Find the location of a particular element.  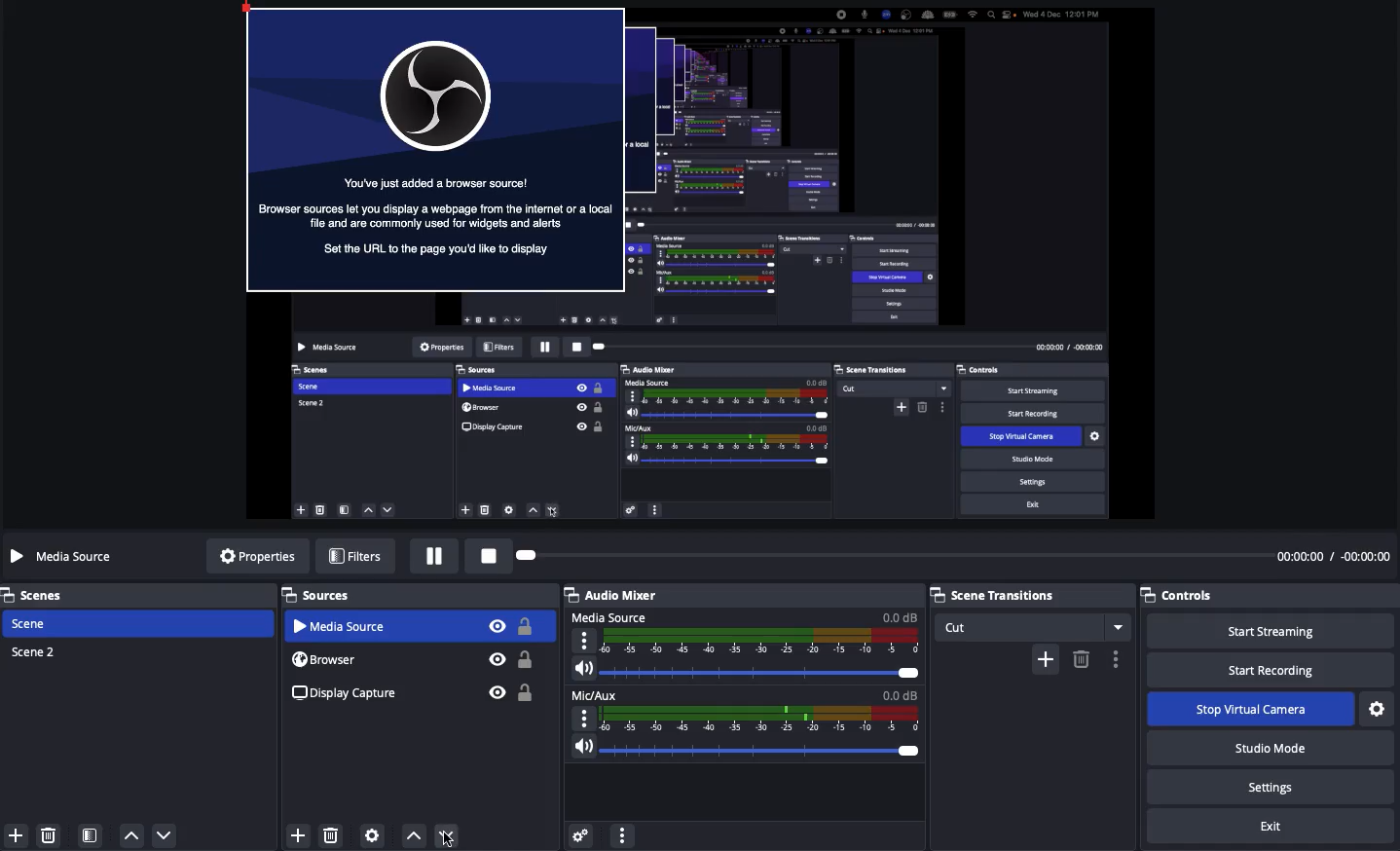

Start recording is located at coordinates (1271, 669).